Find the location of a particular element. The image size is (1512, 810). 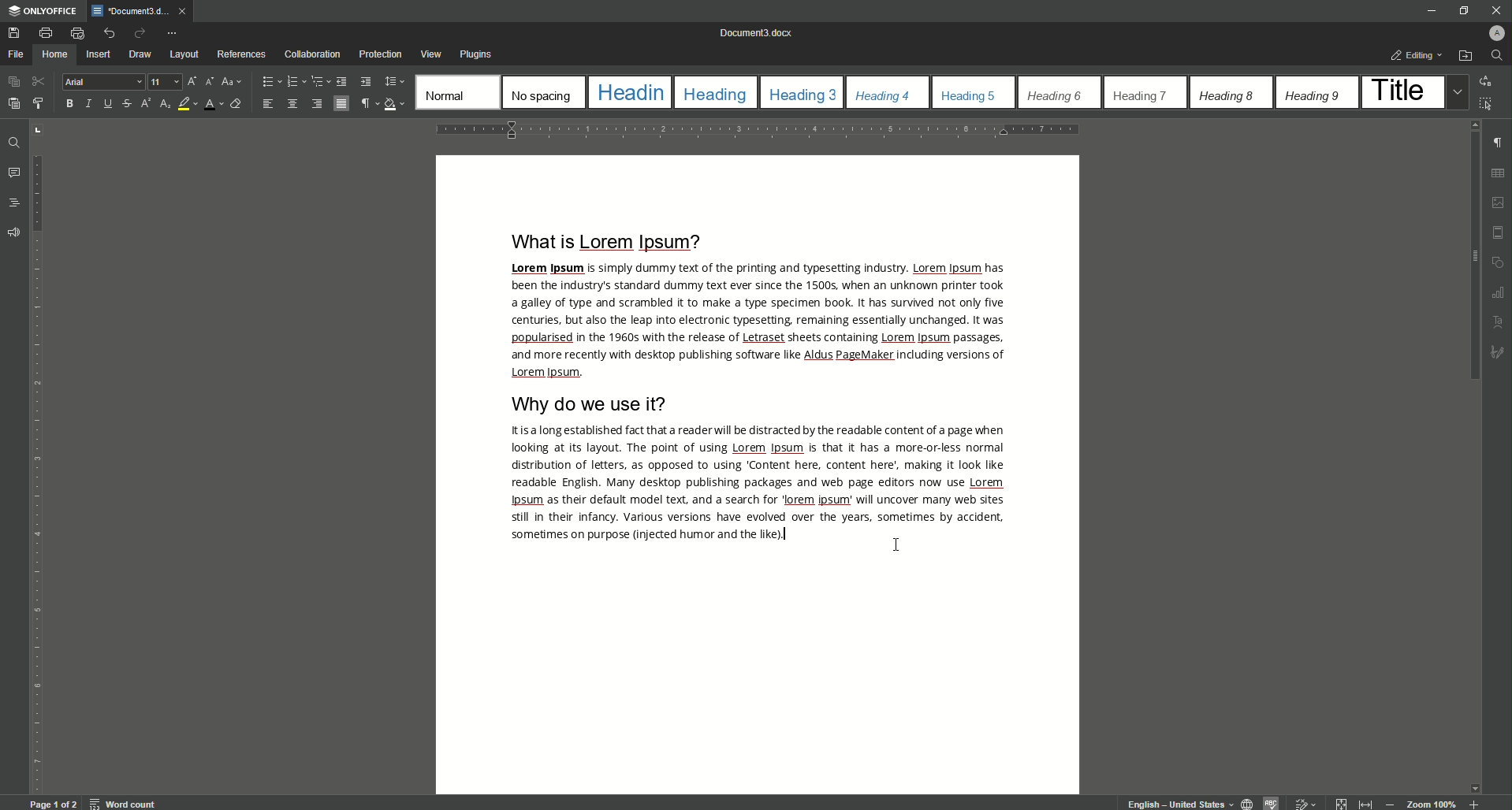

Font Size is located at coordinates (161, 82).